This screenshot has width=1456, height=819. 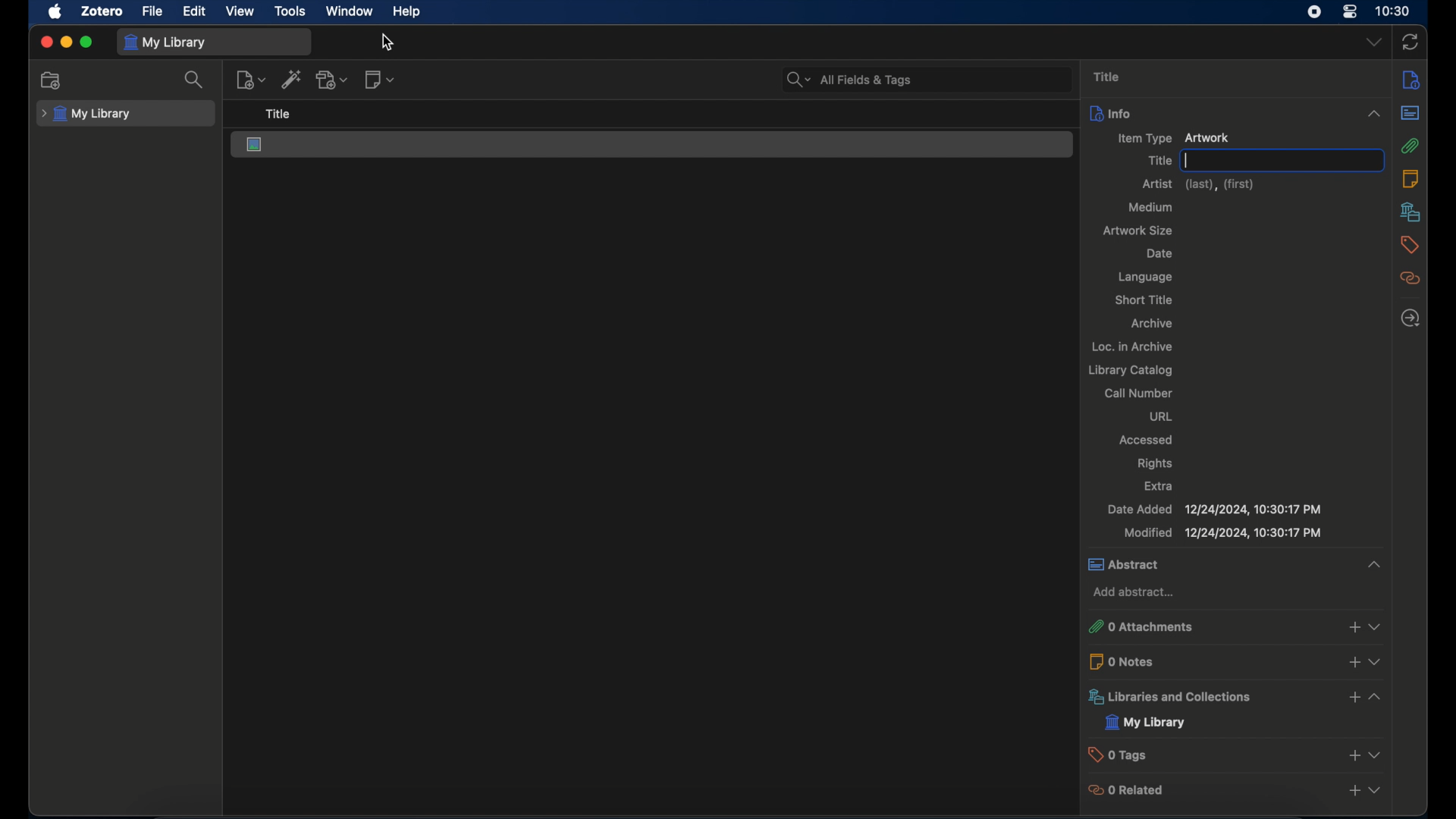 What do you see at coordinates (1411, 178) in the screenshot?
I see `notes` at bounding box center [1411, 178].